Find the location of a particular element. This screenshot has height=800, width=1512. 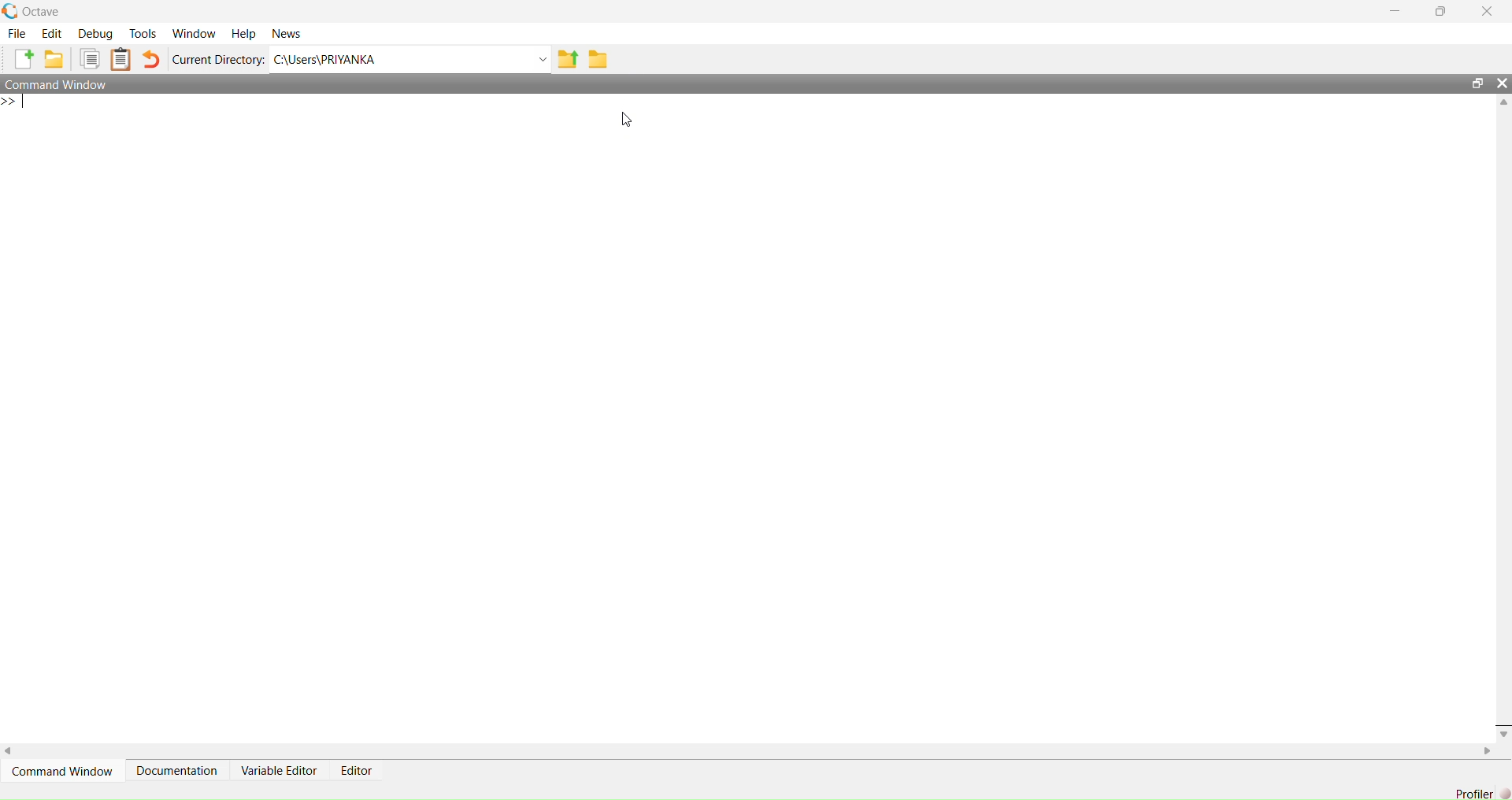

Close is located at coordinates (1488, 12).